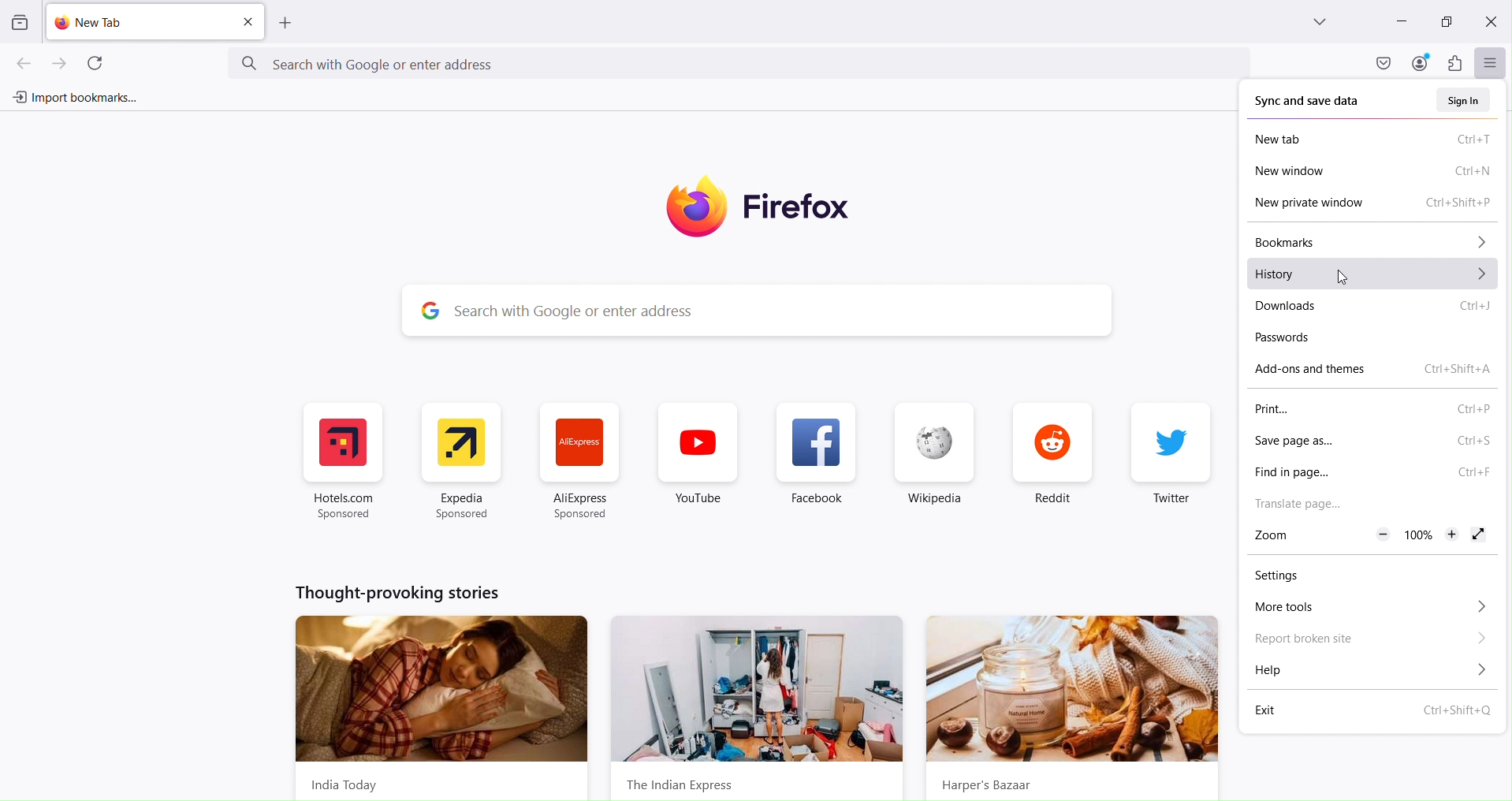 This screenshot has height=801, width=1512. I want to click on More tools, so click(1372, 609).